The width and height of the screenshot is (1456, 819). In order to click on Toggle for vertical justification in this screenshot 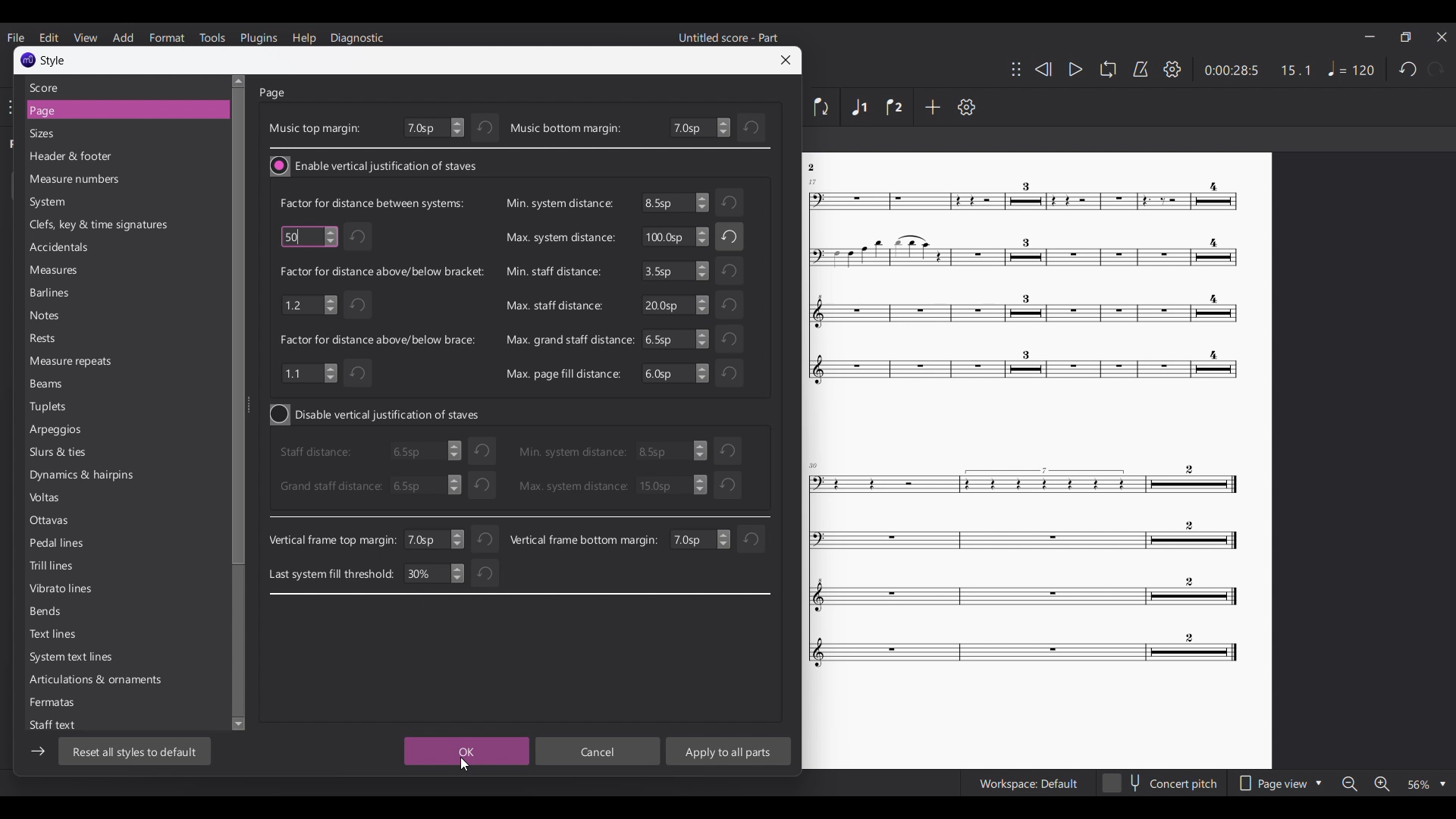, I will do `click(377, 415)`.